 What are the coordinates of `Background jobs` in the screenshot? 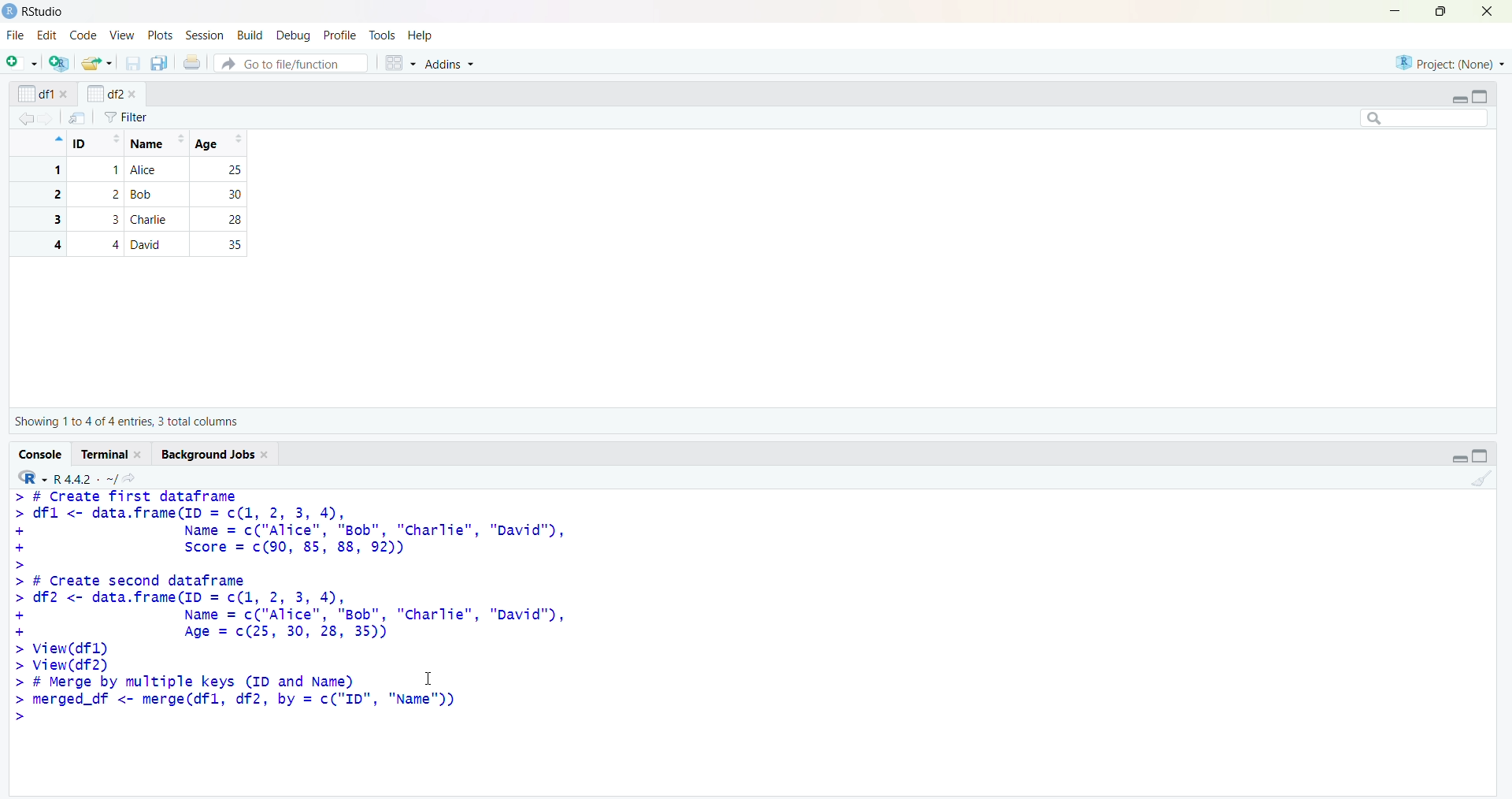 It's located at (208, 455).